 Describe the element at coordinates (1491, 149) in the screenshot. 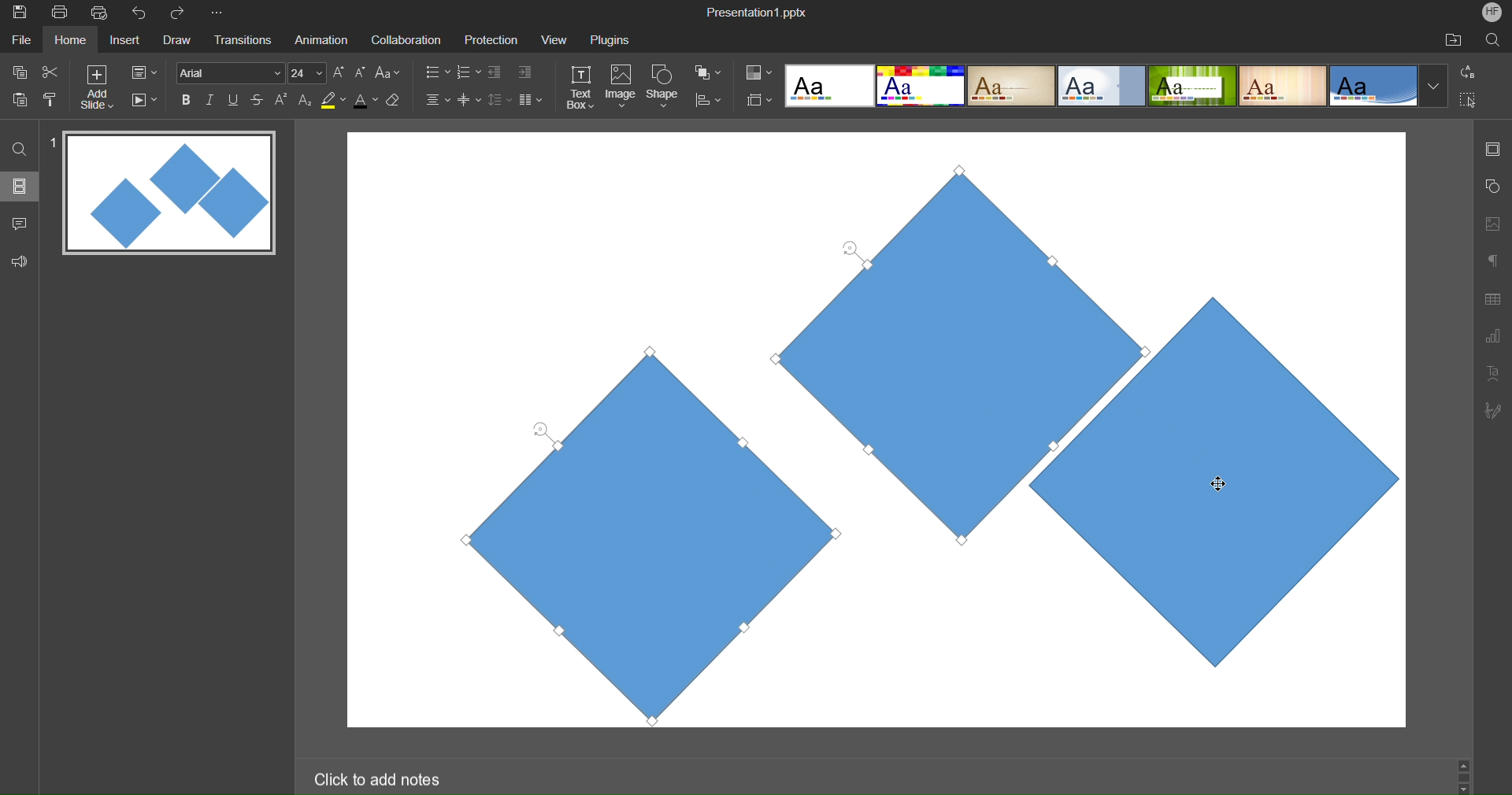

I see `Slide Settings` at that location.